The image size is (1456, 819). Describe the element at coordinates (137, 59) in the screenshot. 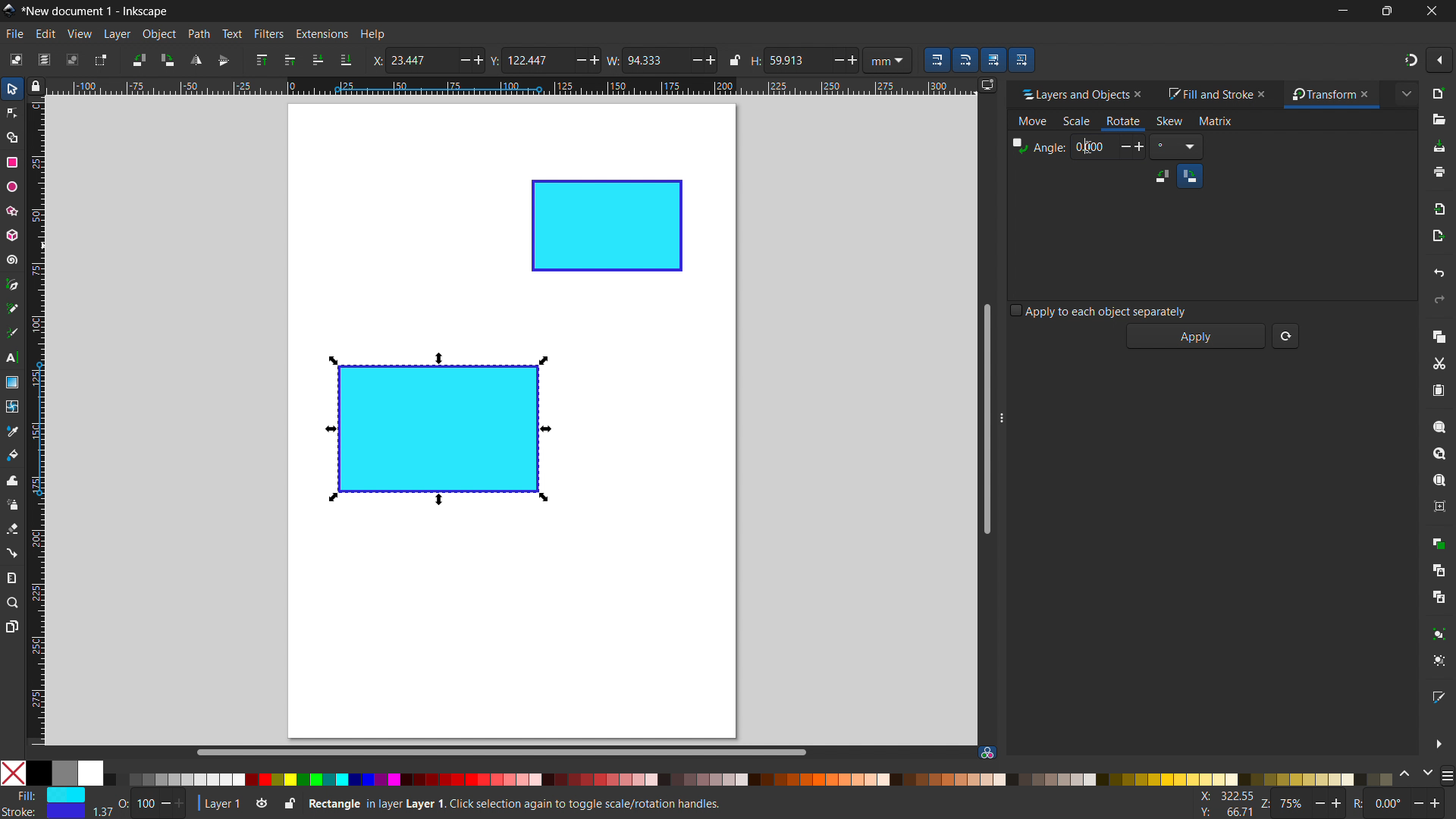

I see `rotate 90 ccw` at that location.